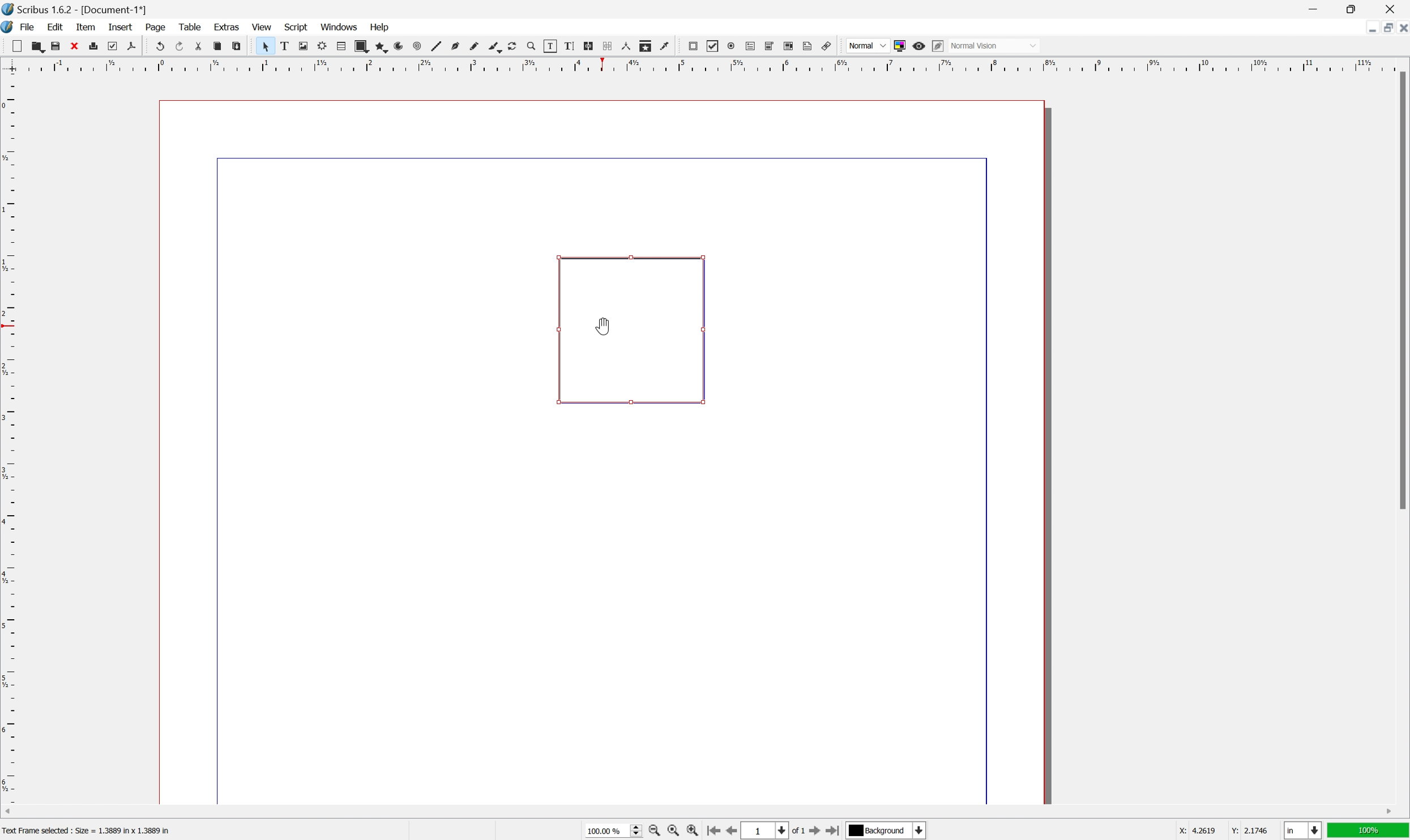 Image resolution: width=1410 pixels, height=840 pixels. What do you see at coordinates (808, 45) in the screenshot?
I see `text annotation` at bounding box center [808, 45].